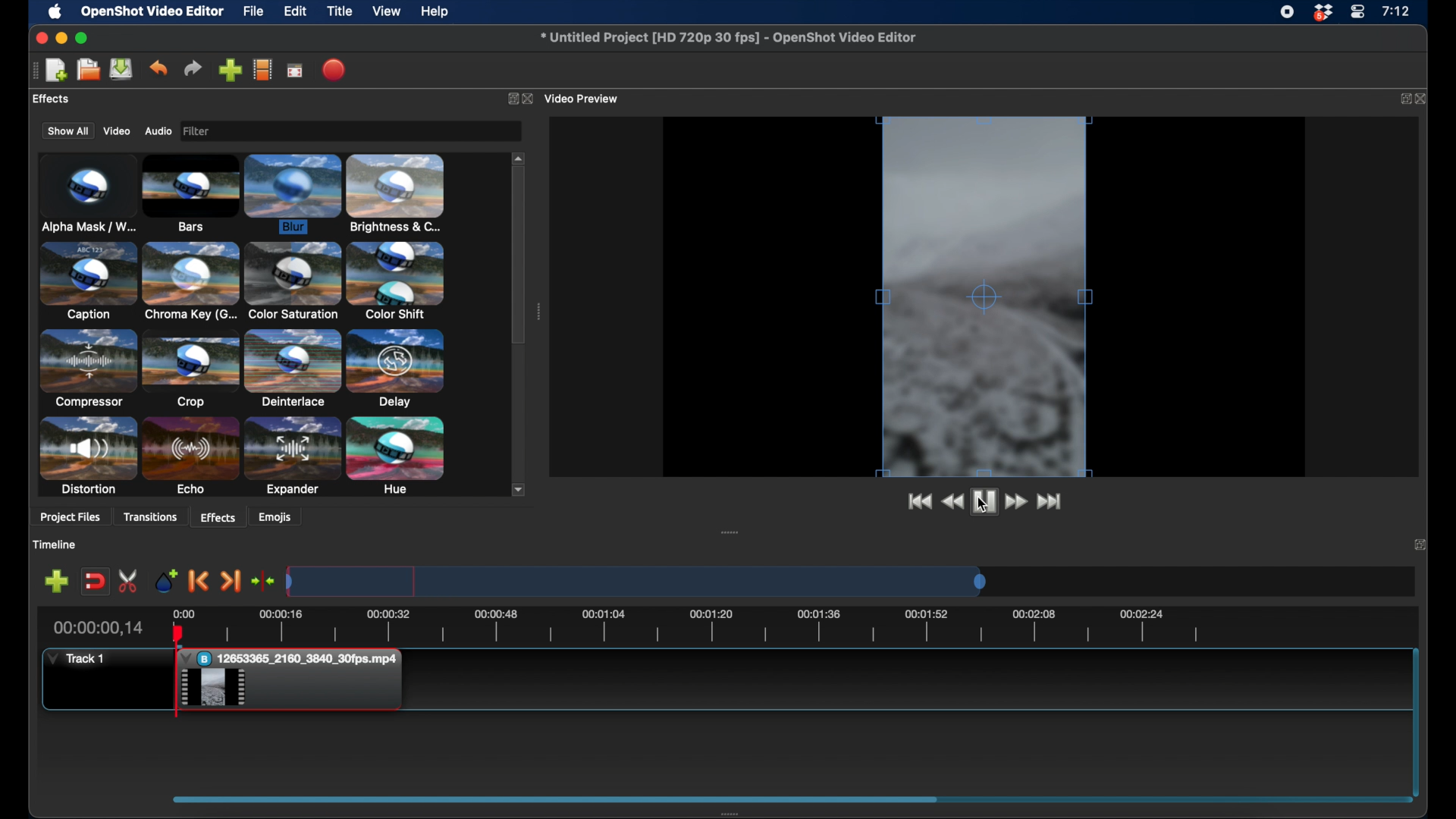 The width and height of the screenshot is (1456, 819). I want to click on file, so click(253, 11).